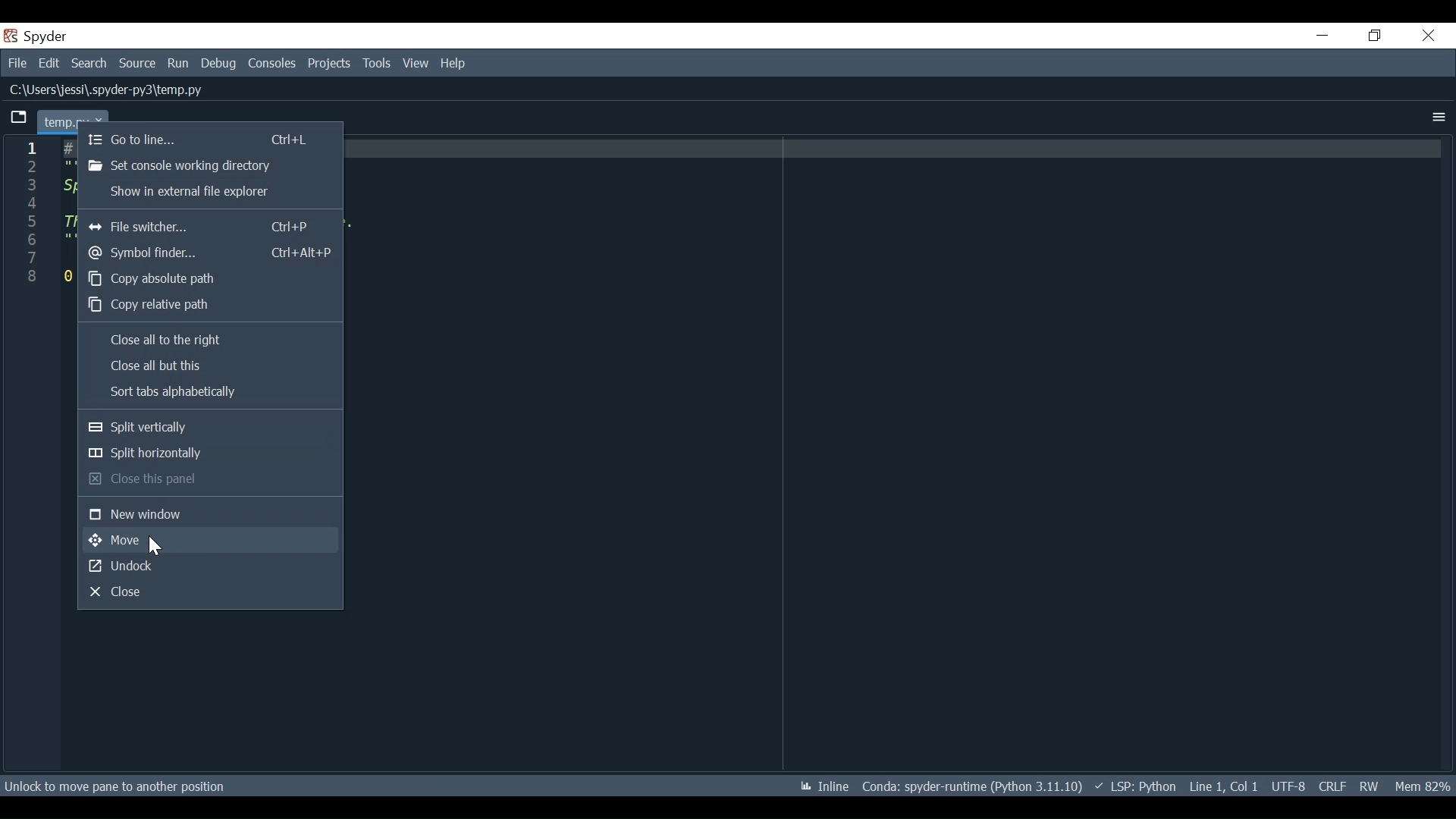 The height and width of the screenshot is (819, 1456). What do you see at coordinates (211, 453) in the screenshot?
I see `Split horizontally` at bounding box center [211, 453].